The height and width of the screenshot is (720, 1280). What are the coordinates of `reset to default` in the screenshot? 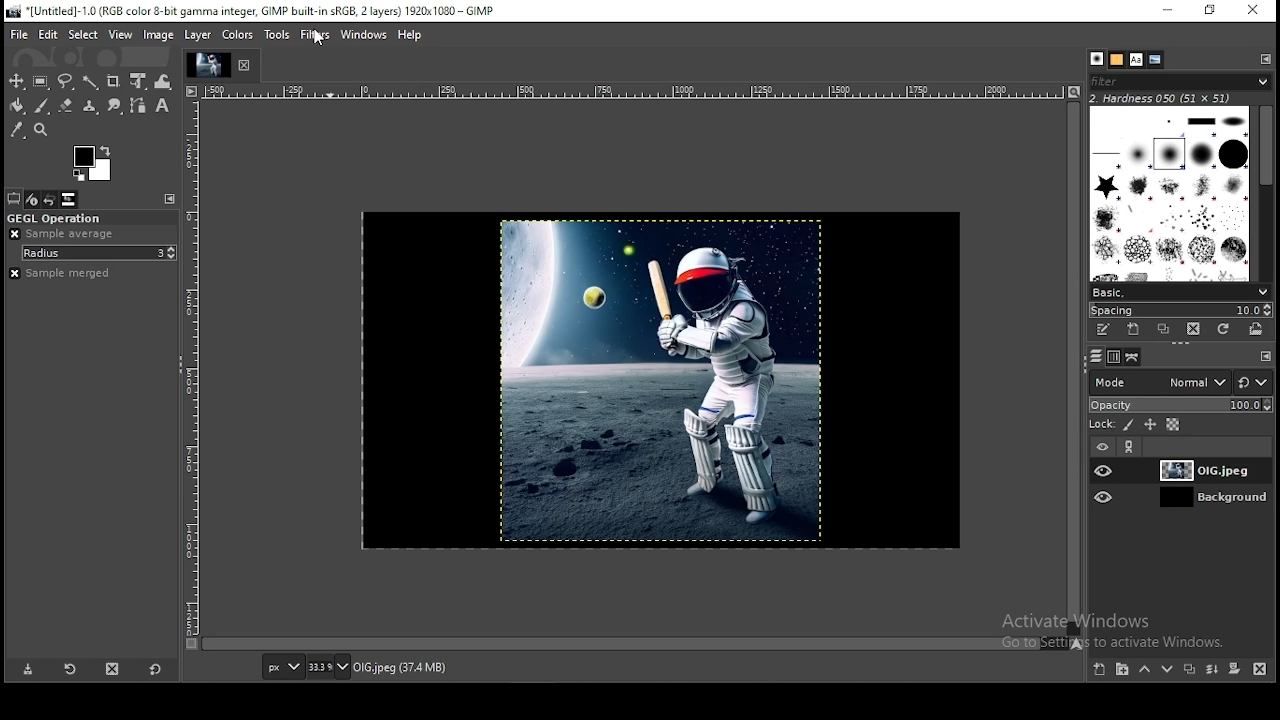 It's located at (154, 670).